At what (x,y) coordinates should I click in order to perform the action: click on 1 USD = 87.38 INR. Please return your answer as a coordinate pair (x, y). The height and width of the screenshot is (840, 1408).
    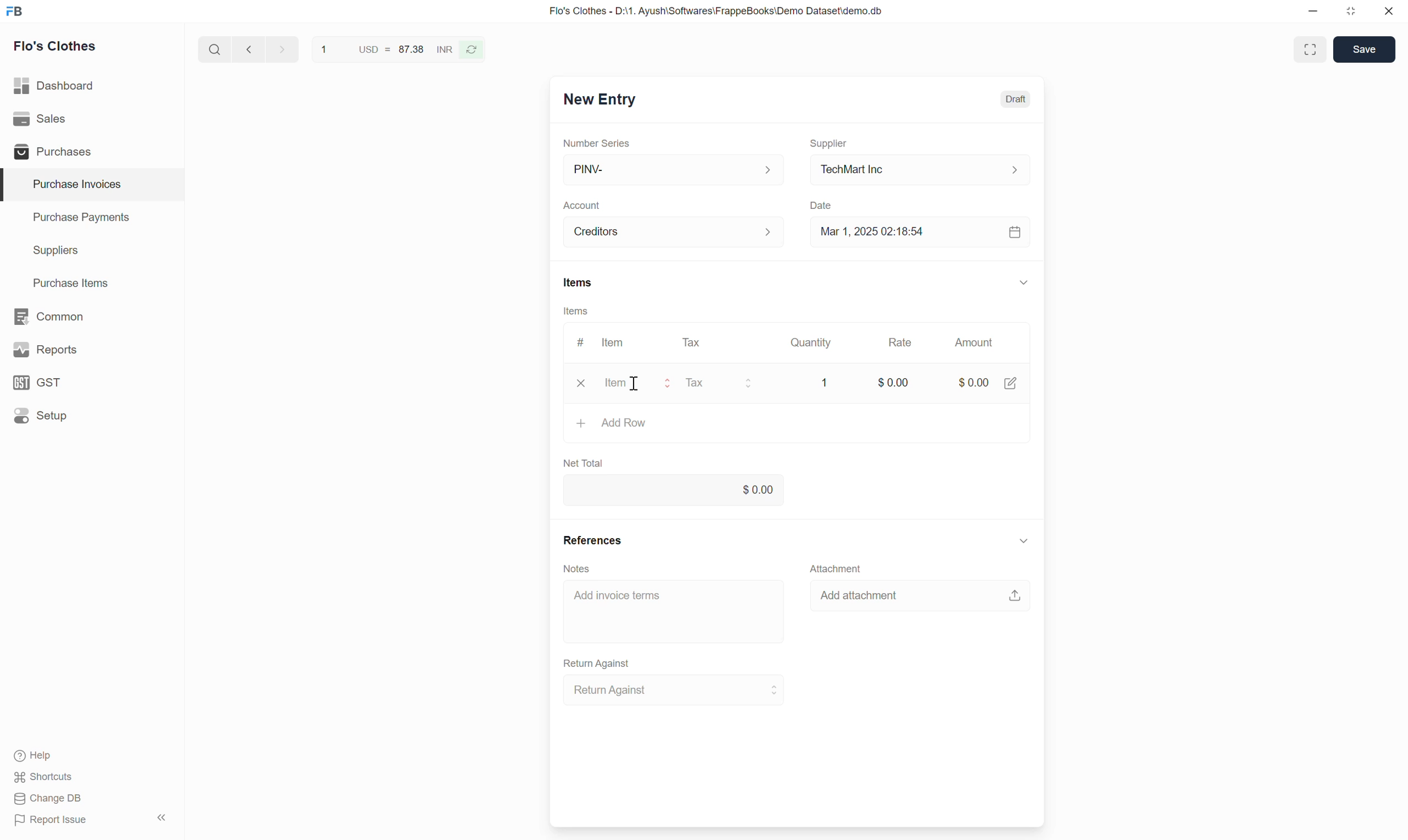
    Looking at the image, I should click on (385, 49).